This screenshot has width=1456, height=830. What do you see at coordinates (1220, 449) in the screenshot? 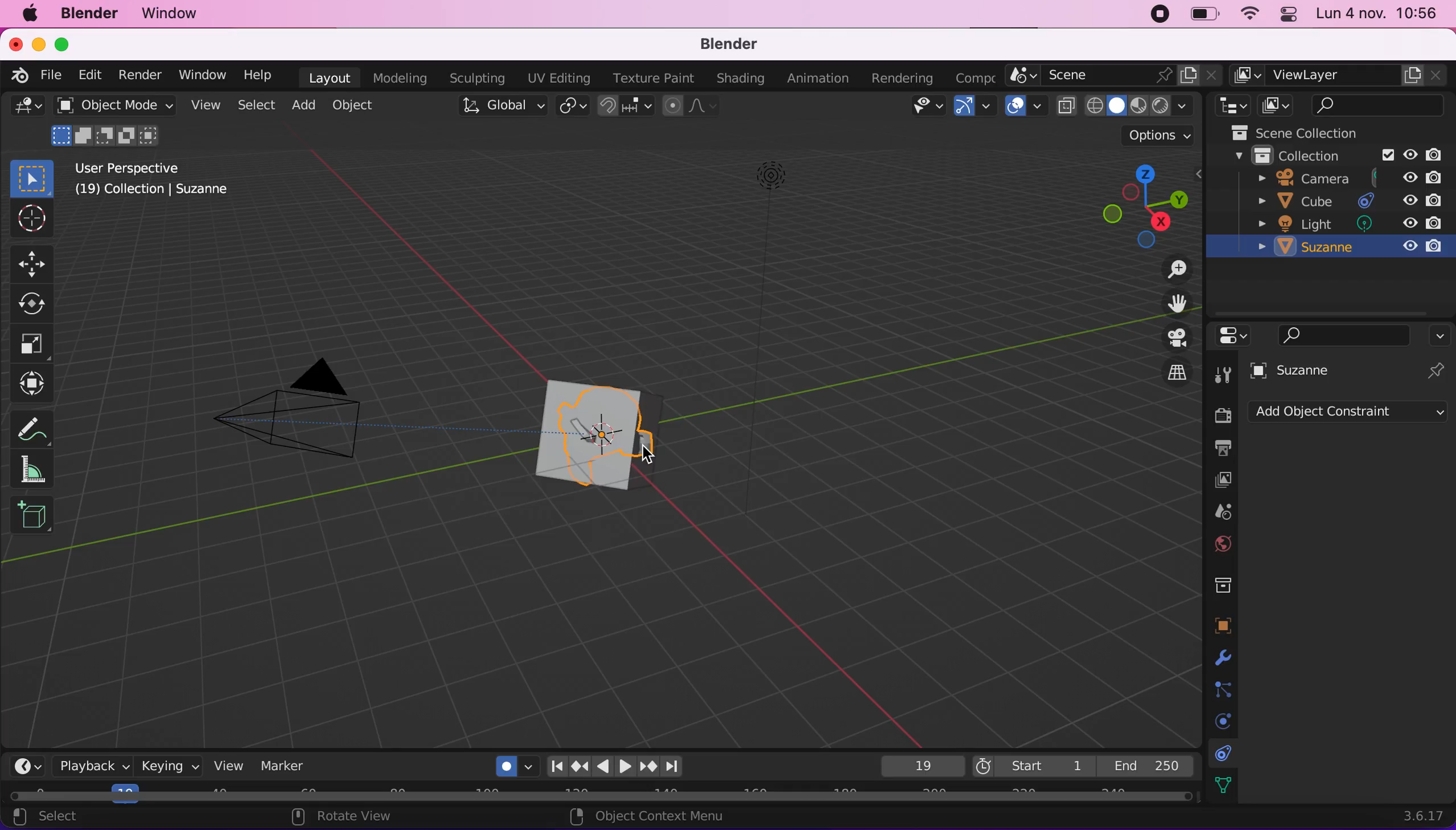
I see `output` at bounding box center [1220, 449].